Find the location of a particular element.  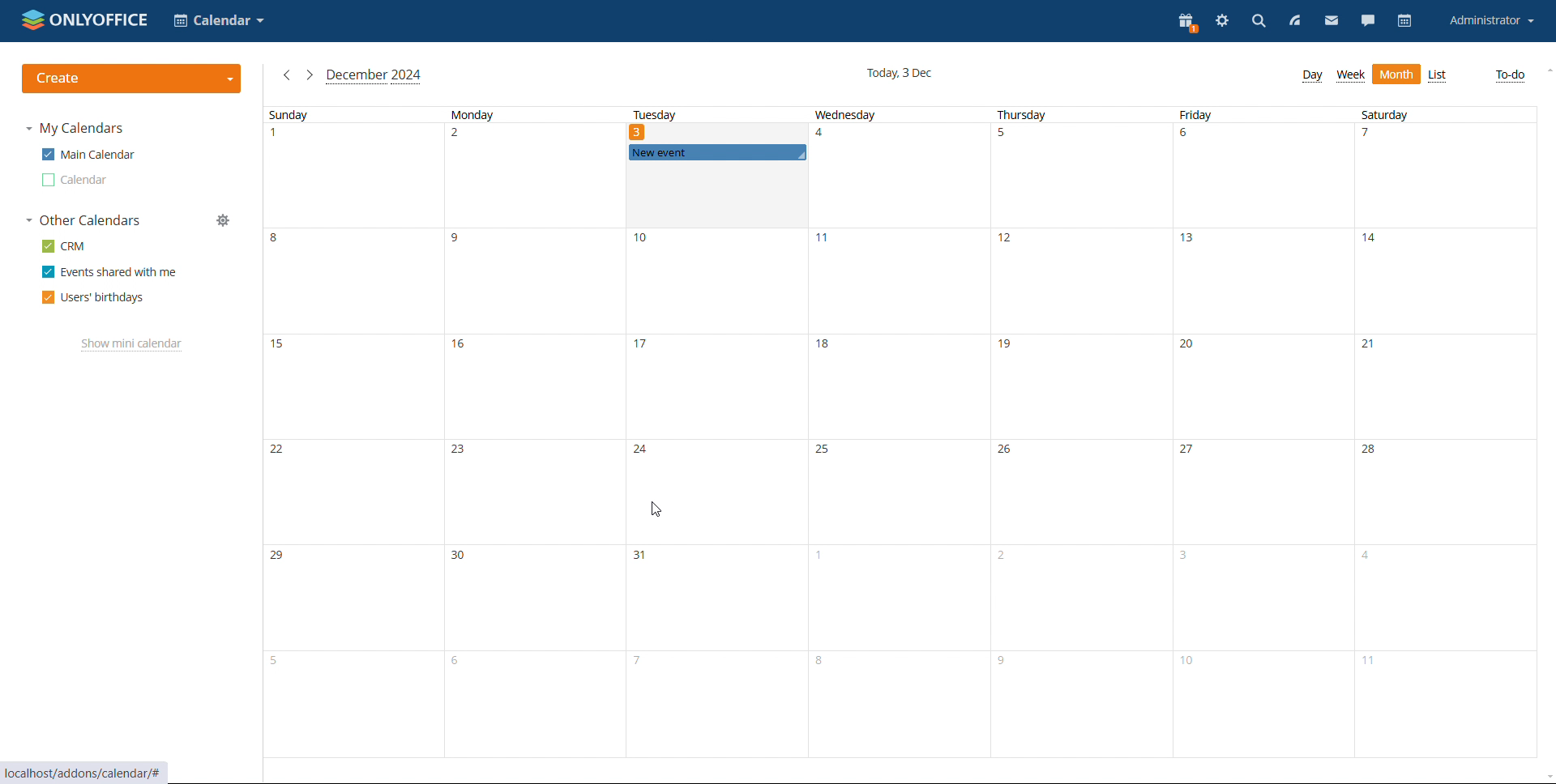

fsyr is located at coordinates (1087, 705).